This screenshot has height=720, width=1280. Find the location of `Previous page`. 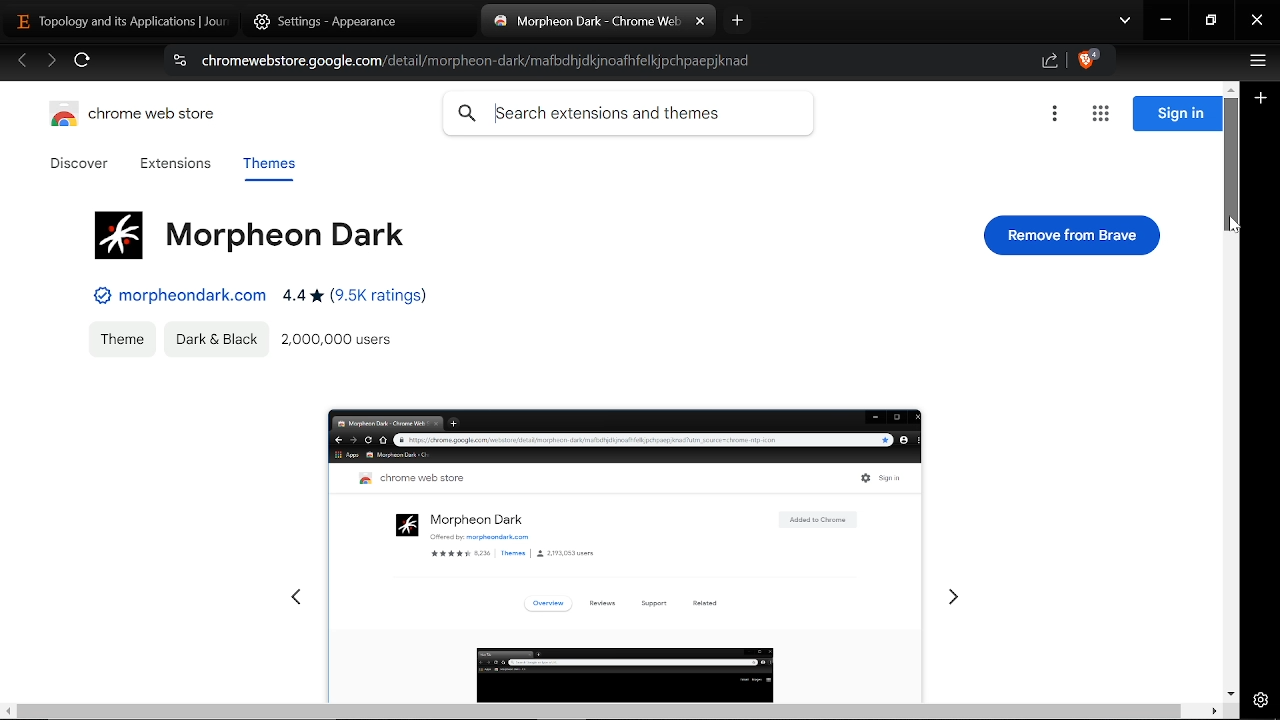

Previous page is located at coordinates (22, 62).